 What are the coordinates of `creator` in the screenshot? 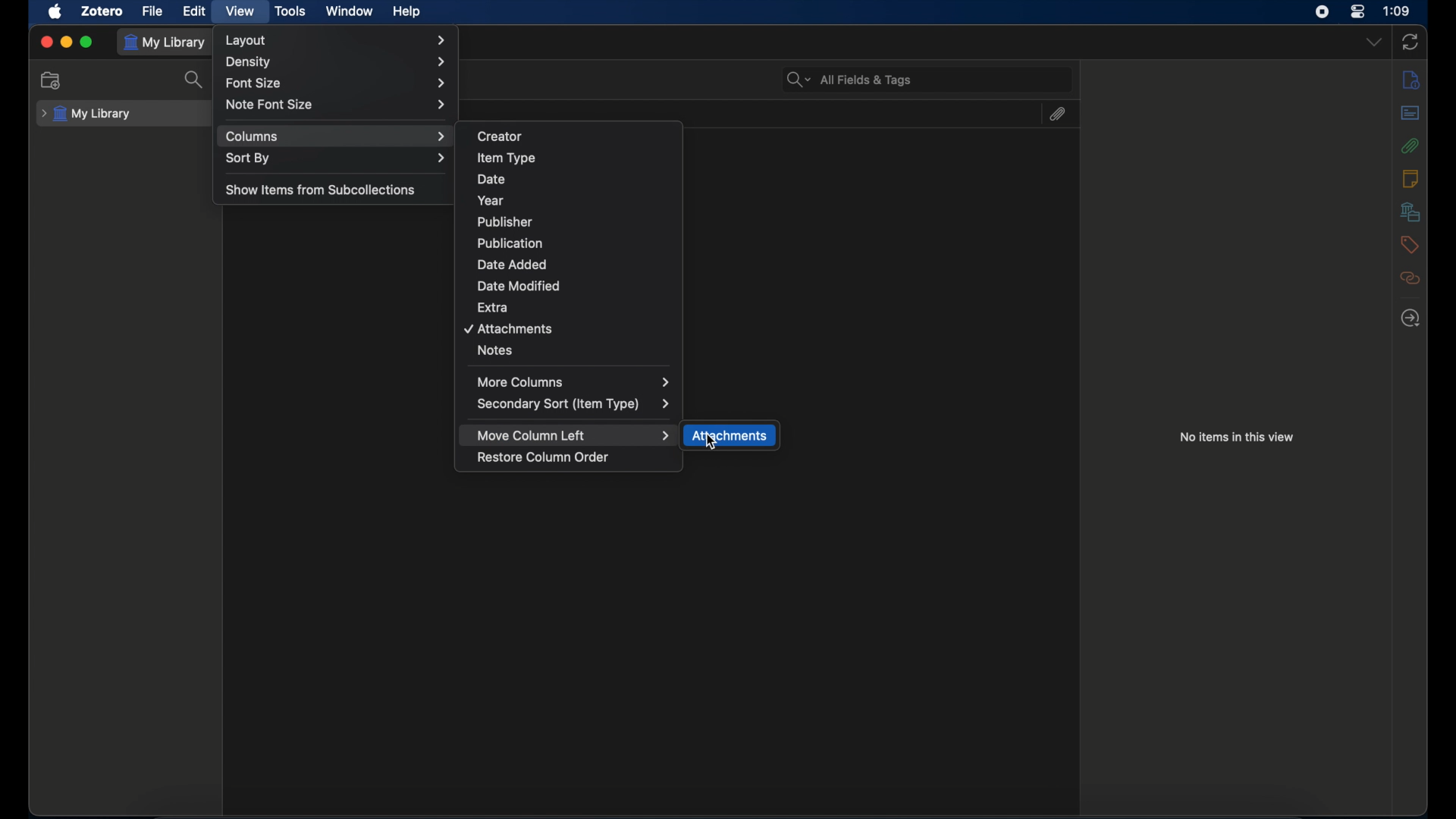 It's located at (500, 136).